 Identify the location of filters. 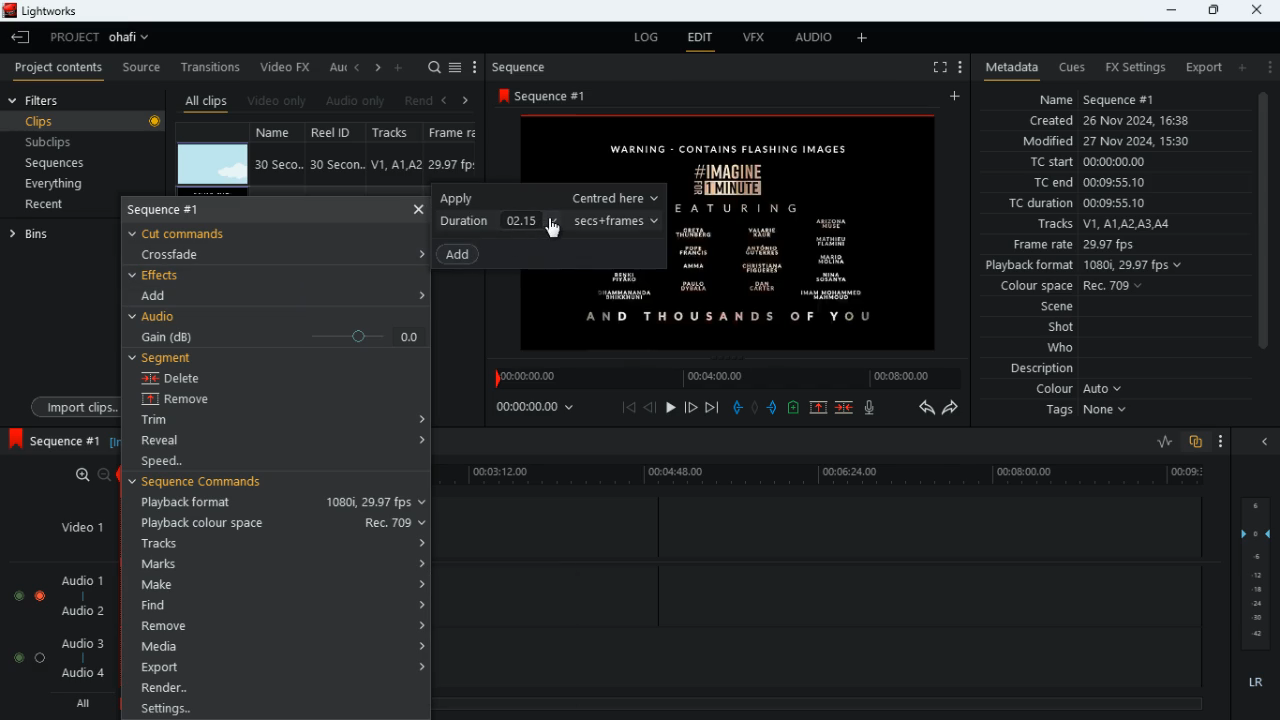
(38, 100).